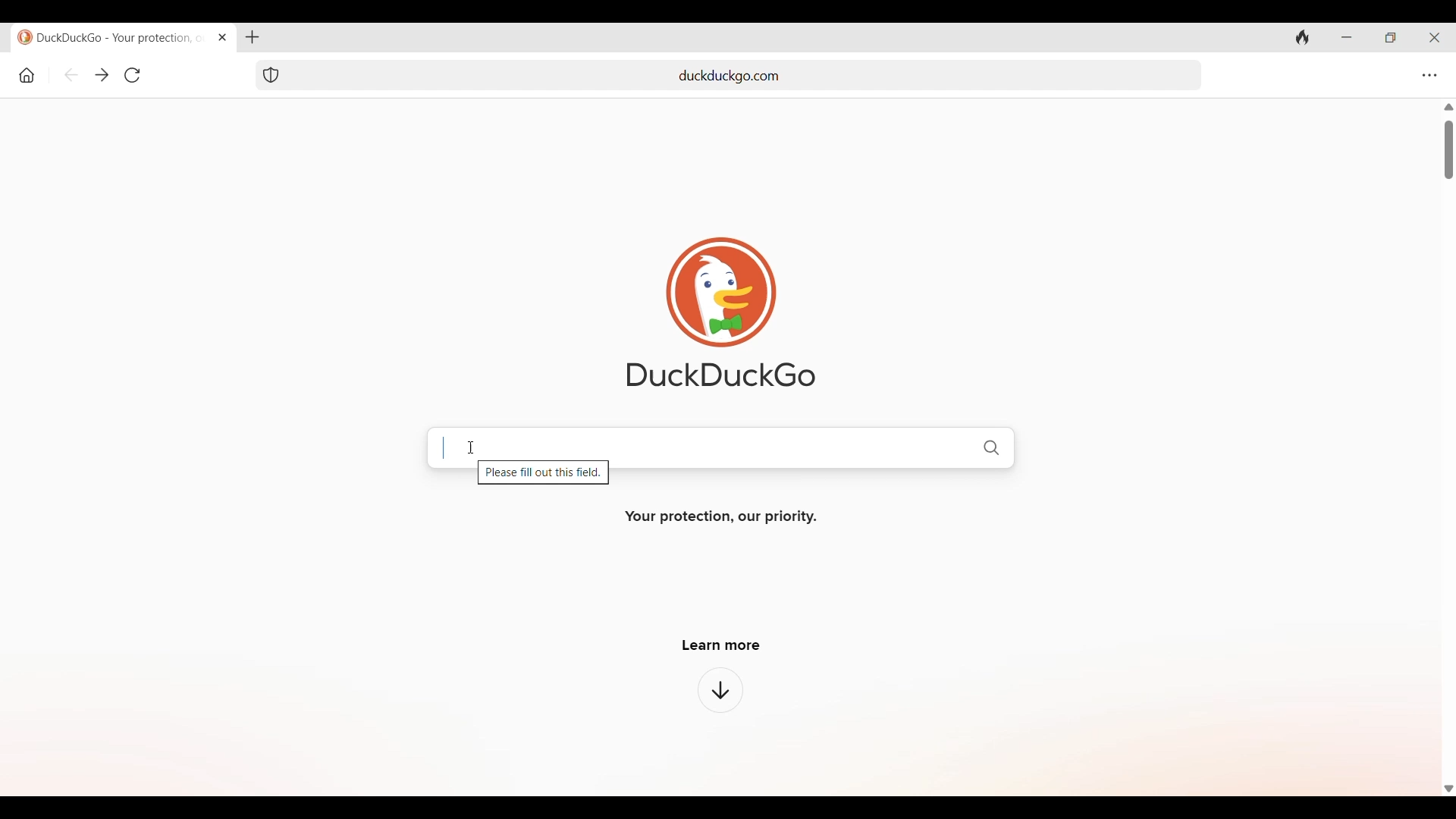  I want to click on Browser settings, so click(1429, 75).